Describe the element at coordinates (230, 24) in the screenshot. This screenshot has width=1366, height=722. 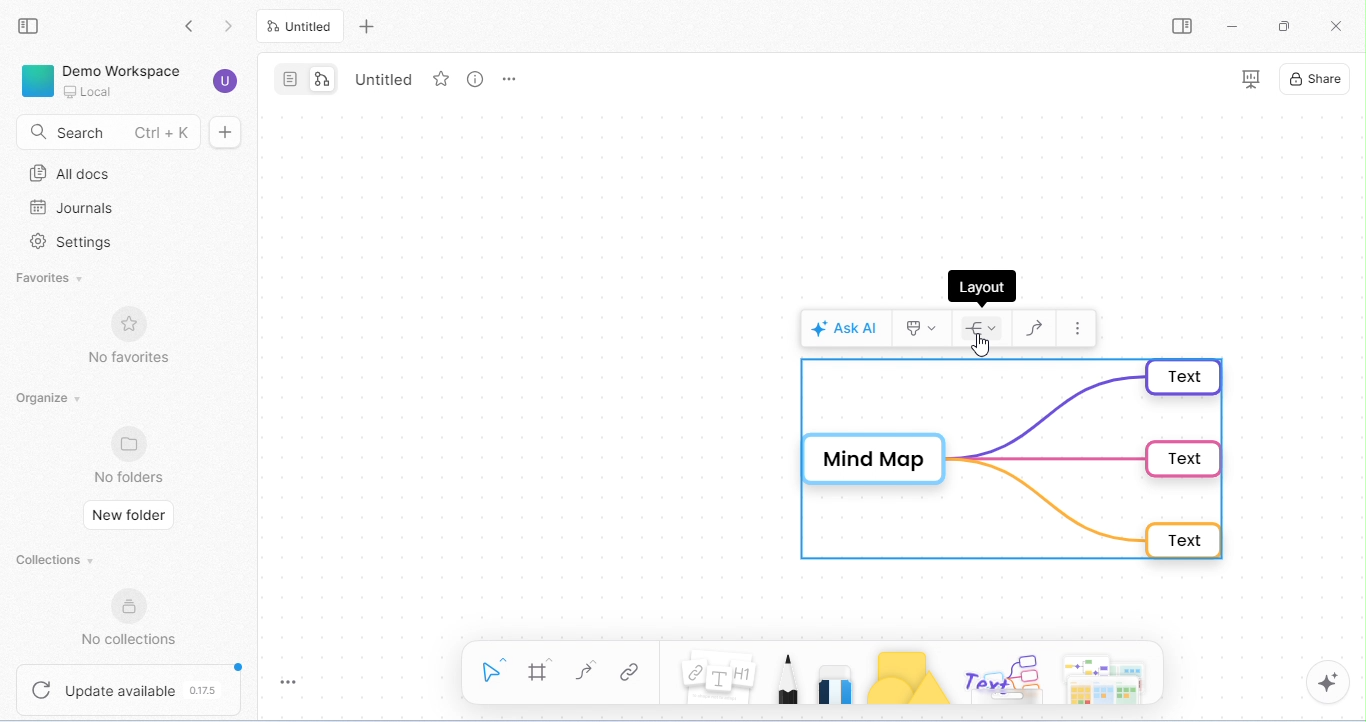
I see `go forward` at that location.